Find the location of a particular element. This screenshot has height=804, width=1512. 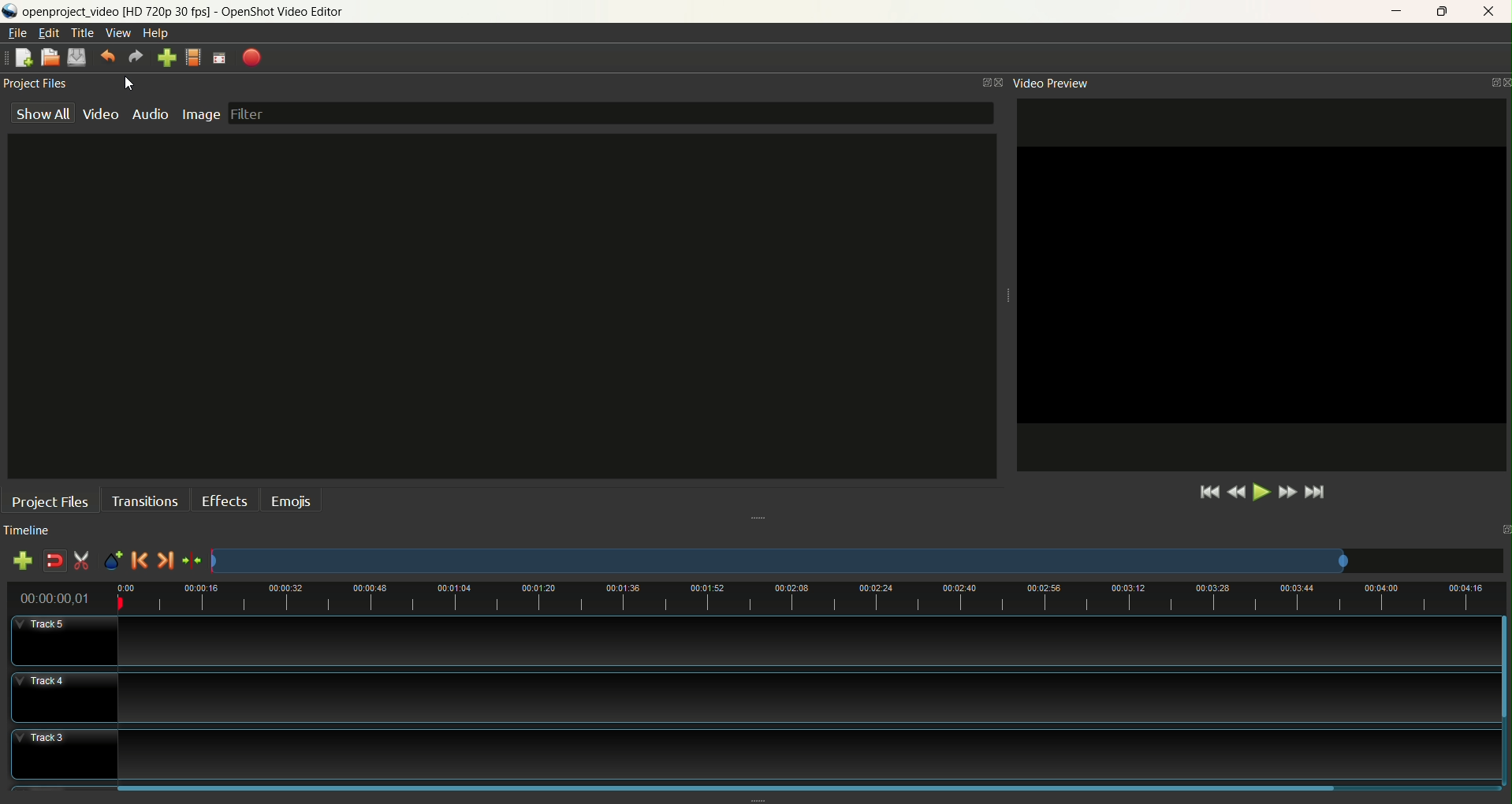

filter is located at coordinates (614, 110).